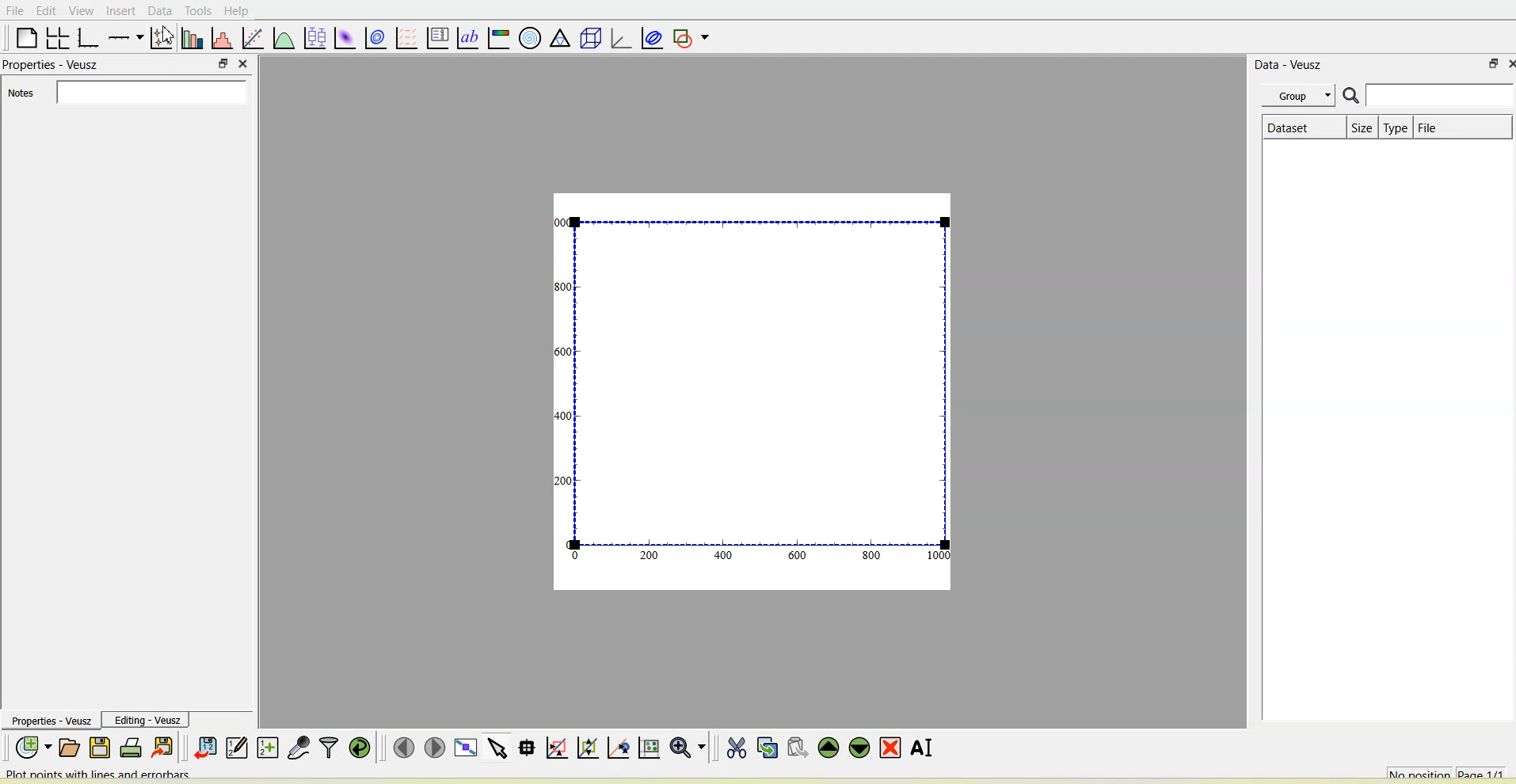  Describe the element at coordinates (526, 748) in the screenshot. I see `Read data points on the graph` at that location.